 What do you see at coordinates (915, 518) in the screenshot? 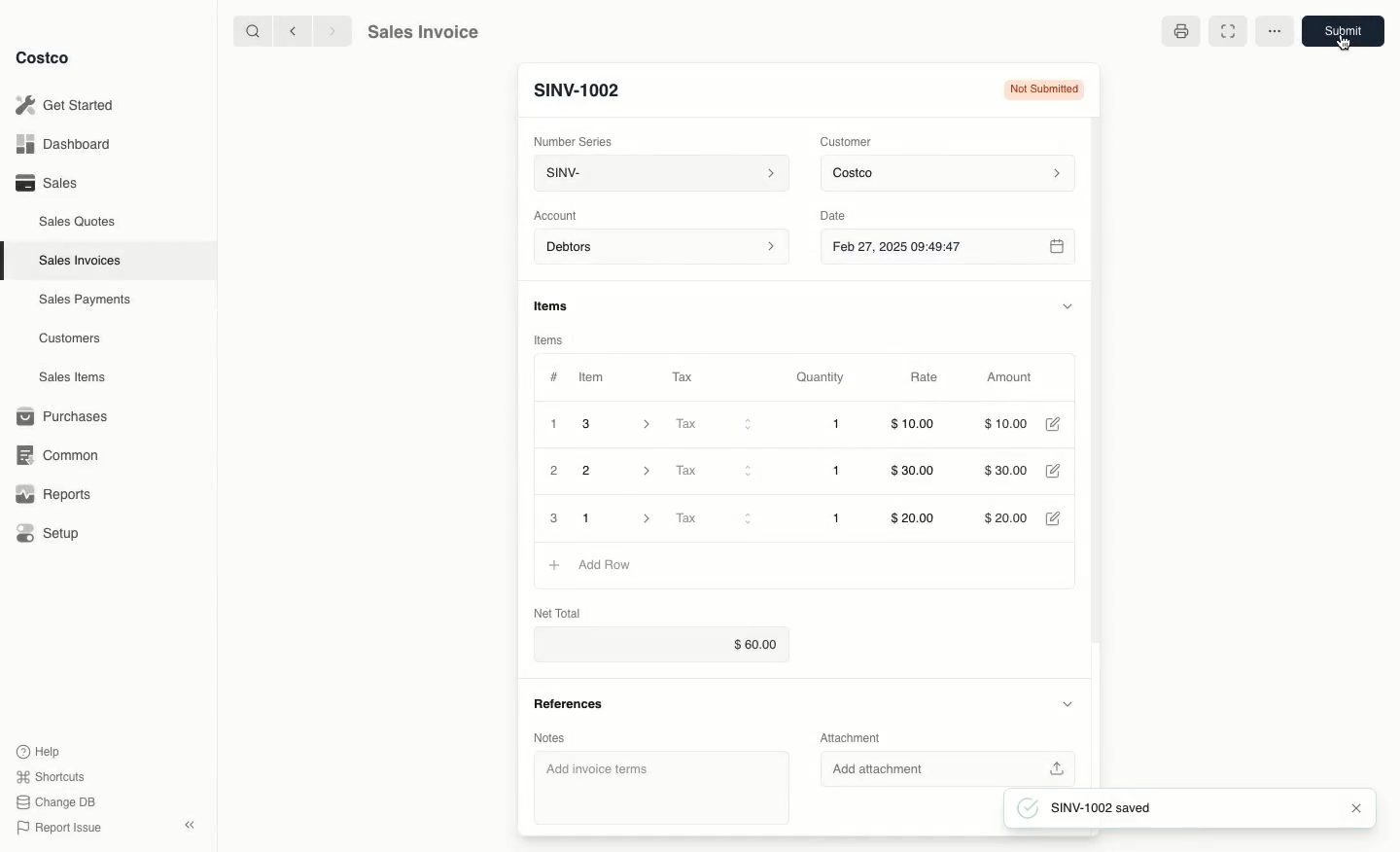
I see `$20.00` at bounding box center [915, 518].